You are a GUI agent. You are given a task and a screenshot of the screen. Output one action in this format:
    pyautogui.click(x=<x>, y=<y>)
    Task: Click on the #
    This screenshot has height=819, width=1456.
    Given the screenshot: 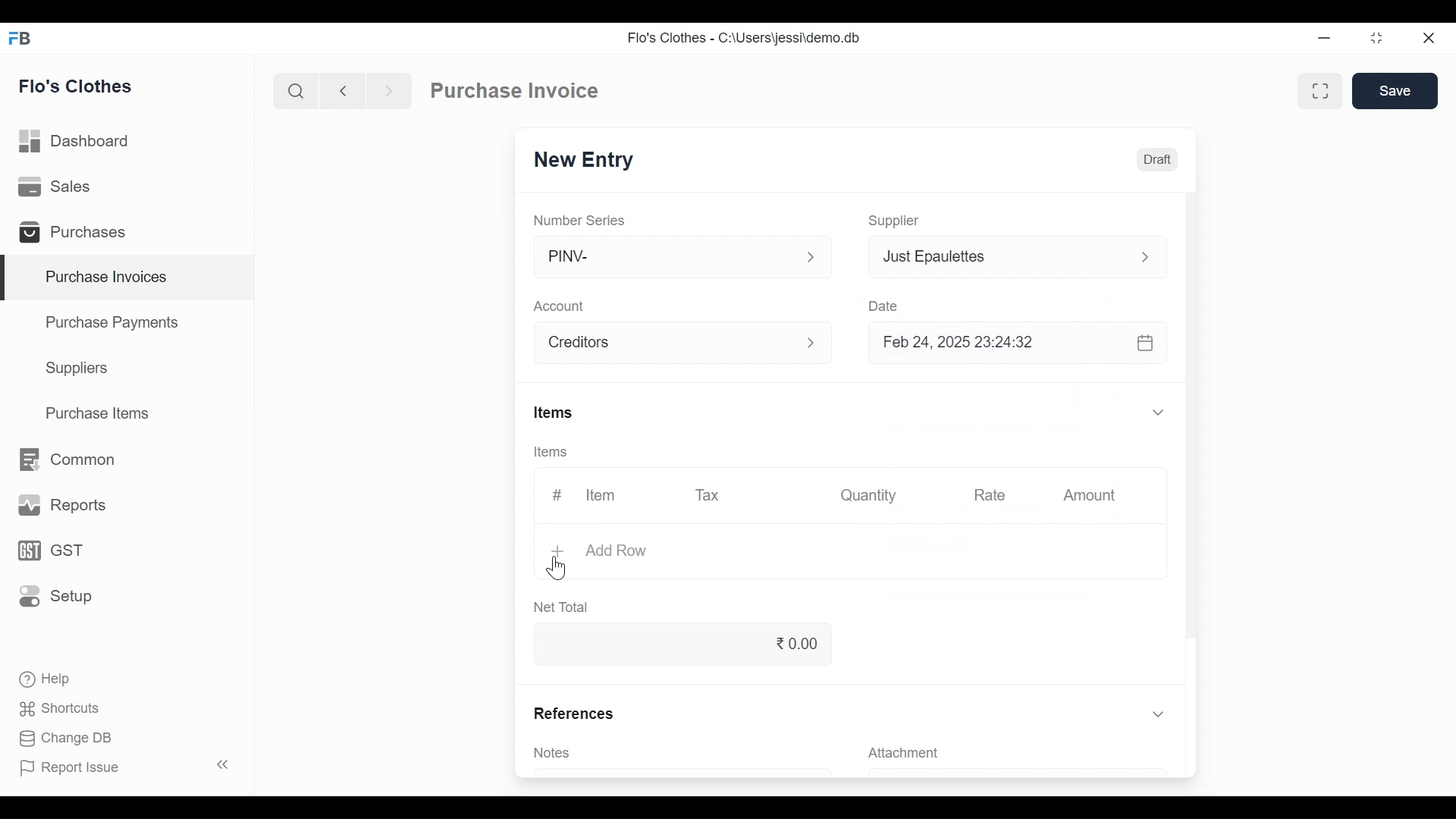 What is the action you would take?
    pyautogui.click(x=558, y=494)
    